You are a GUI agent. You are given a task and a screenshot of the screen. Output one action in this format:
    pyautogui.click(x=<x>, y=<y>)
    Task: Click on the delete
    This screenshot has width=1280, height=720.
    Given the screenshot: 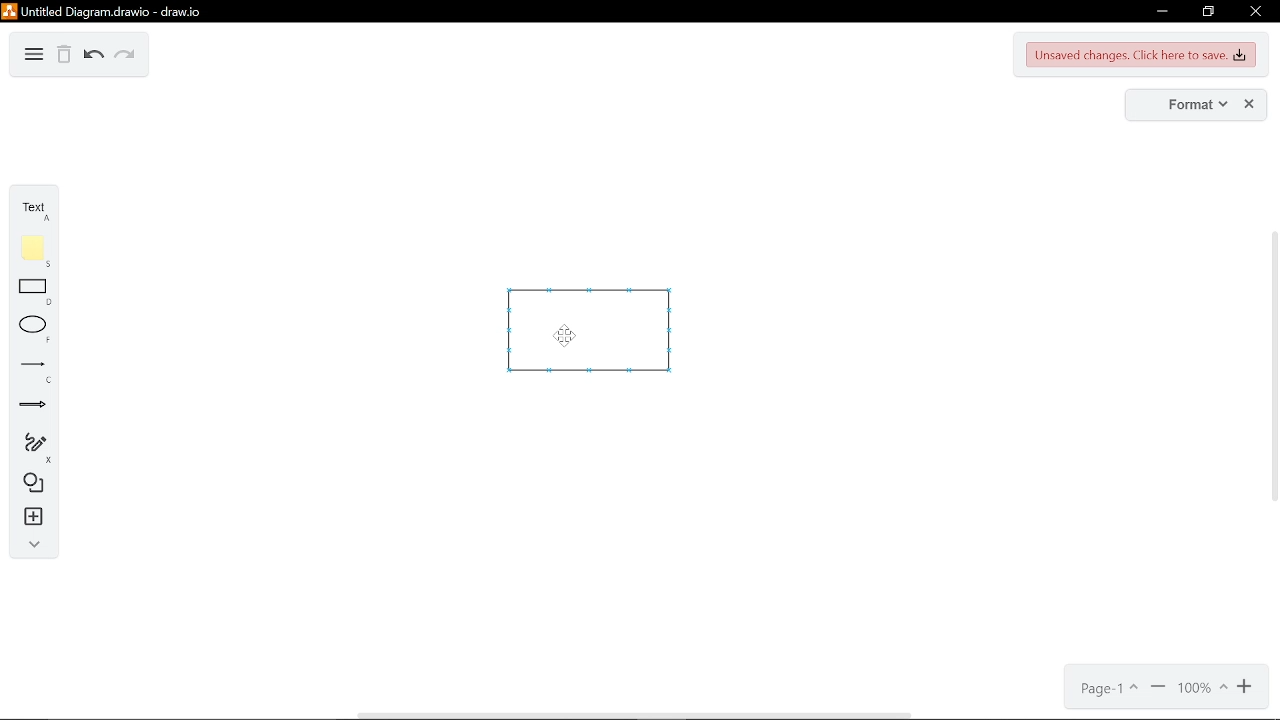 What is the action you would take?
    pyautogui.click(x=64, y=57)
    